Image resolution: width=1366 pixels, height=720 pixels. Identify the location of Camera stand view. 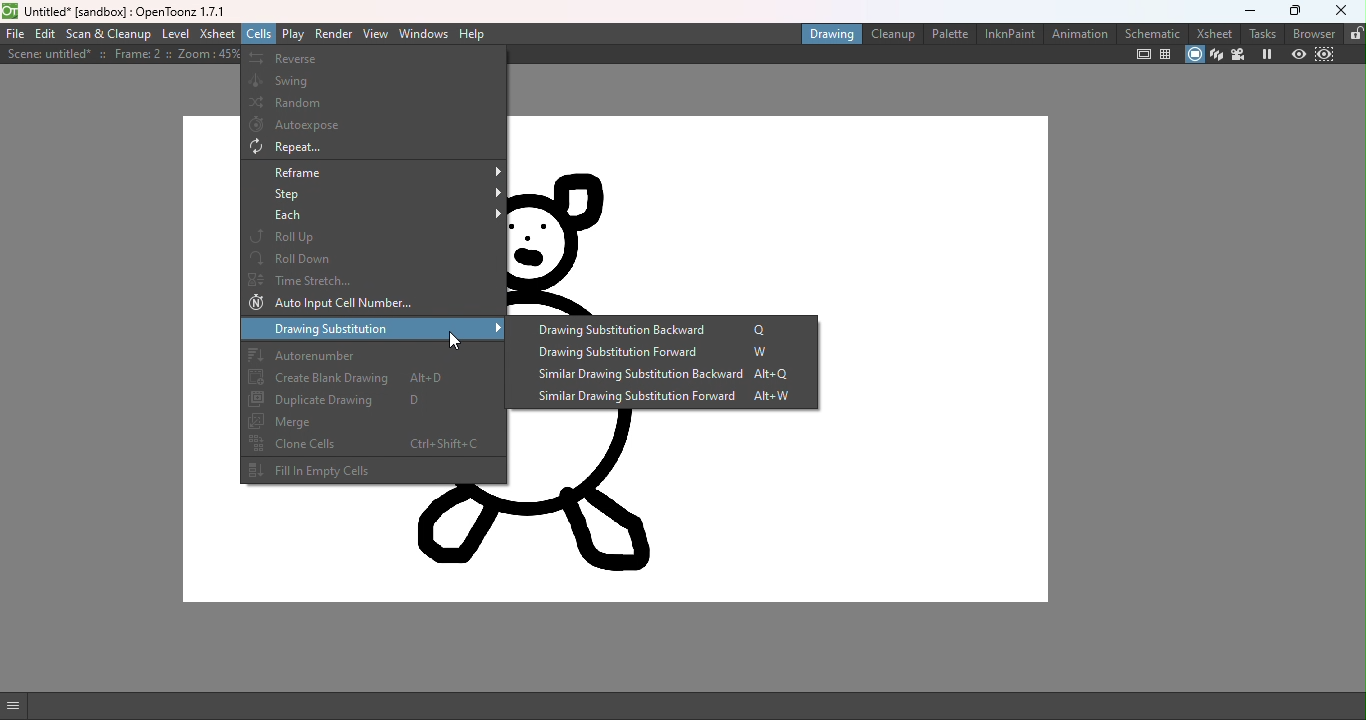
(1192, 54).